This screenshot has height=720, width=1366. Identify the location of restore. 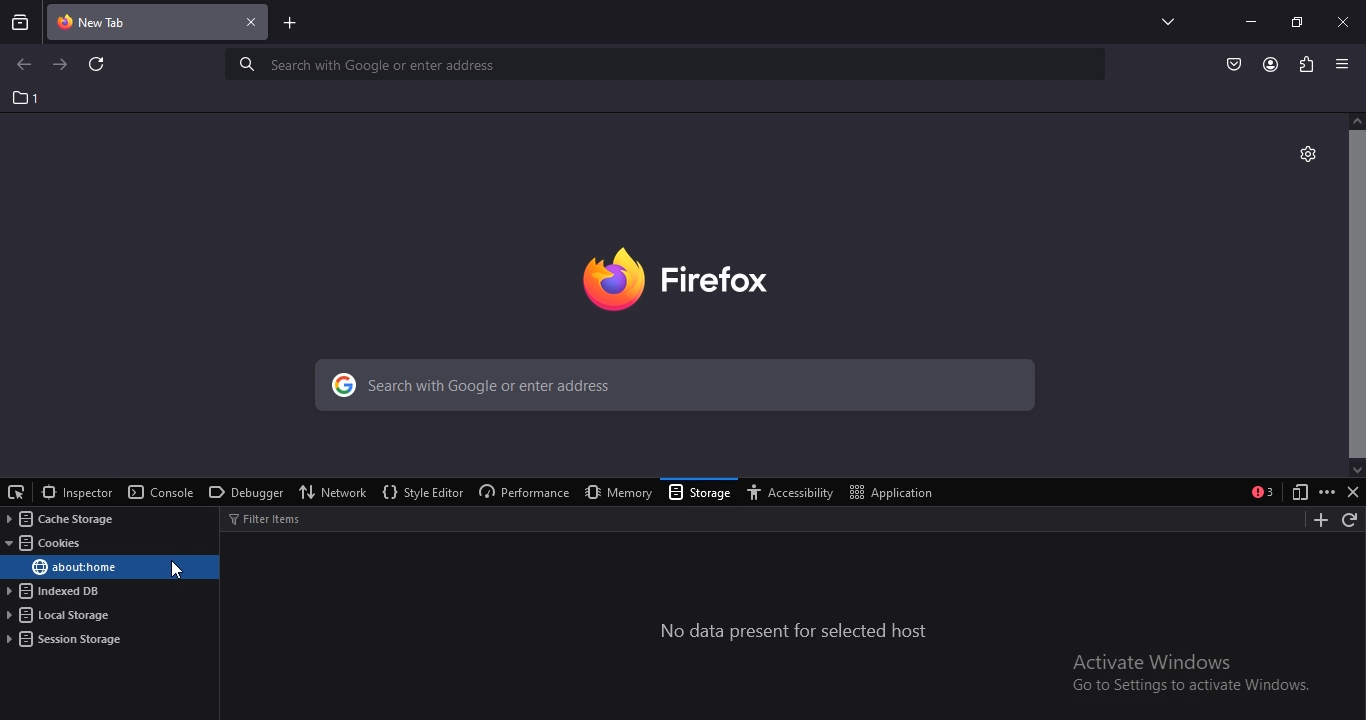
(1296, 21).